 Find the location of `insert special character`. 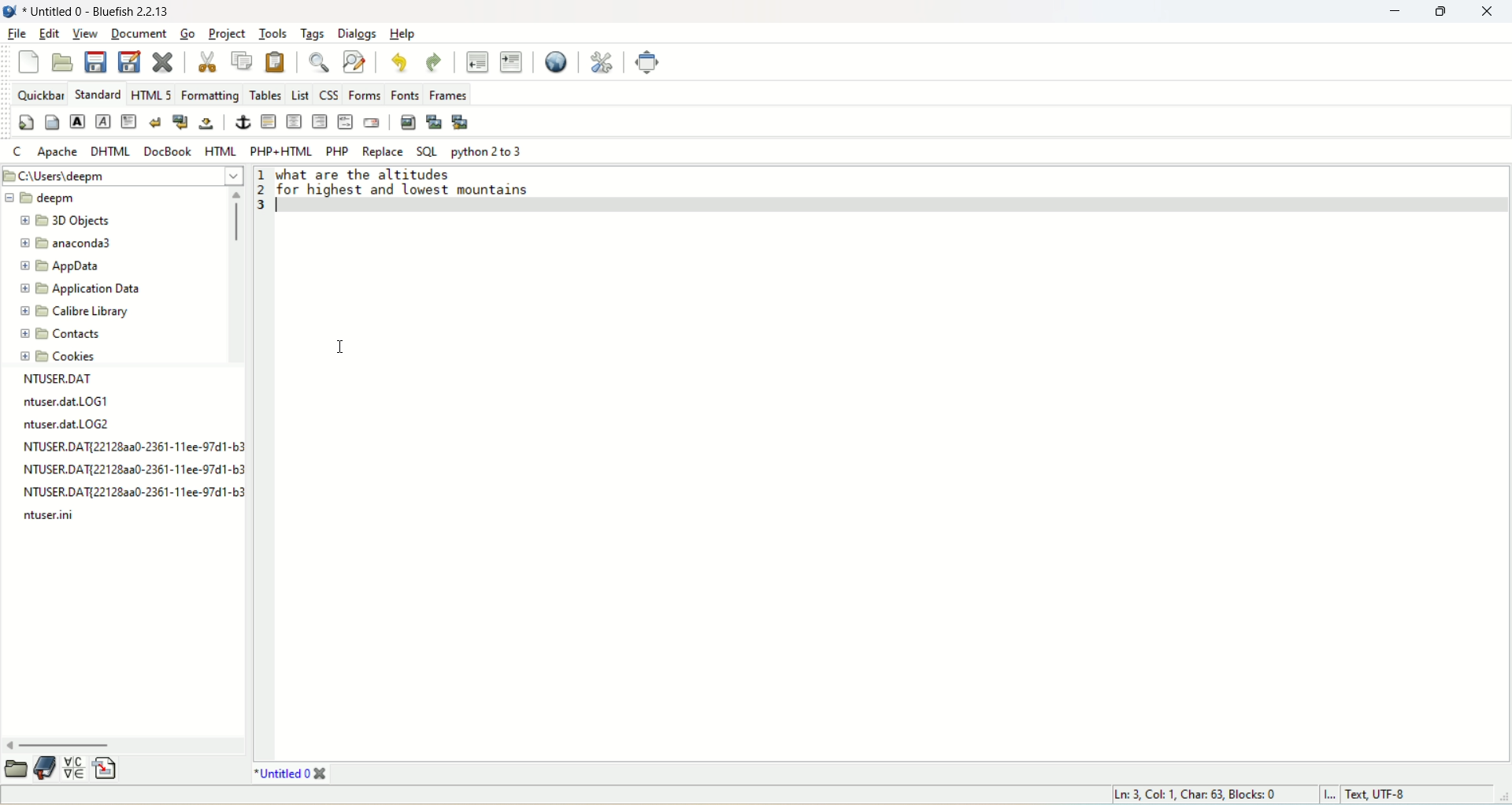

insert special character is located at coordinates (76, 769).